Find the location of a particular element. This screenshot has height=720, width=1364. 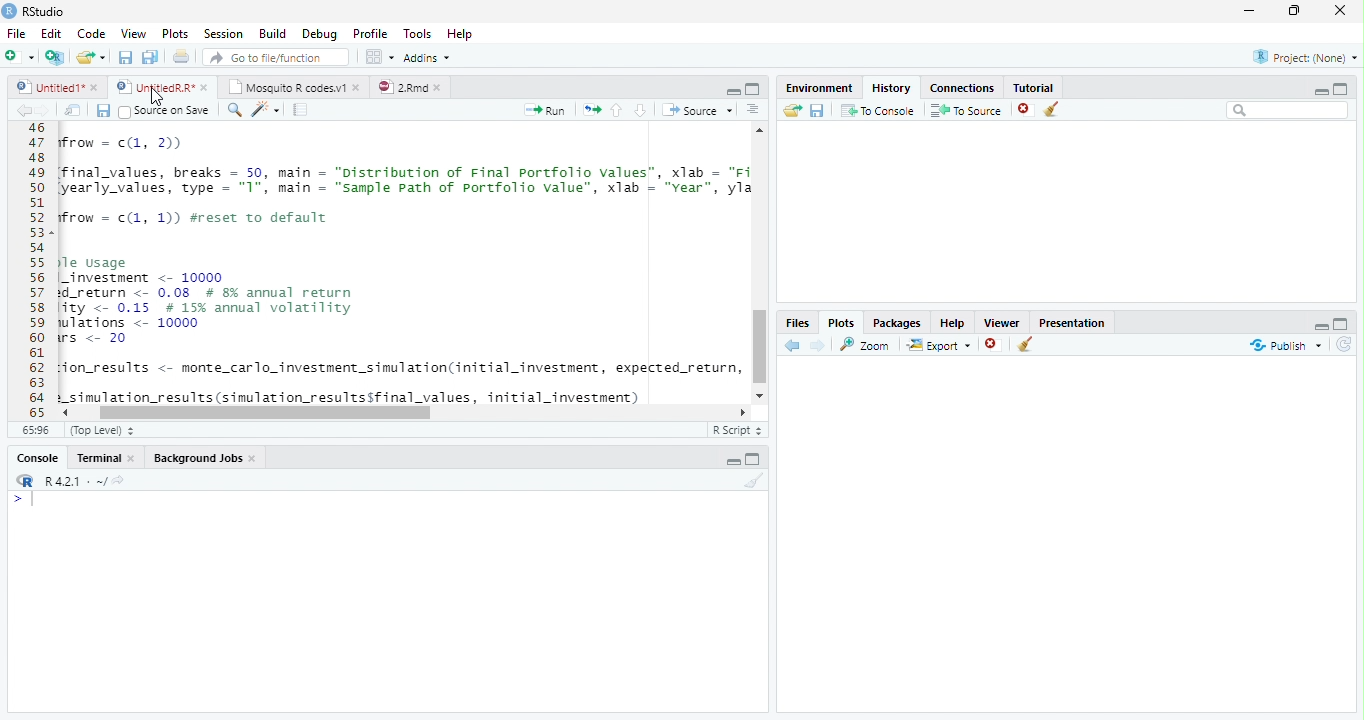

Build is located at coordinates (273, 34).